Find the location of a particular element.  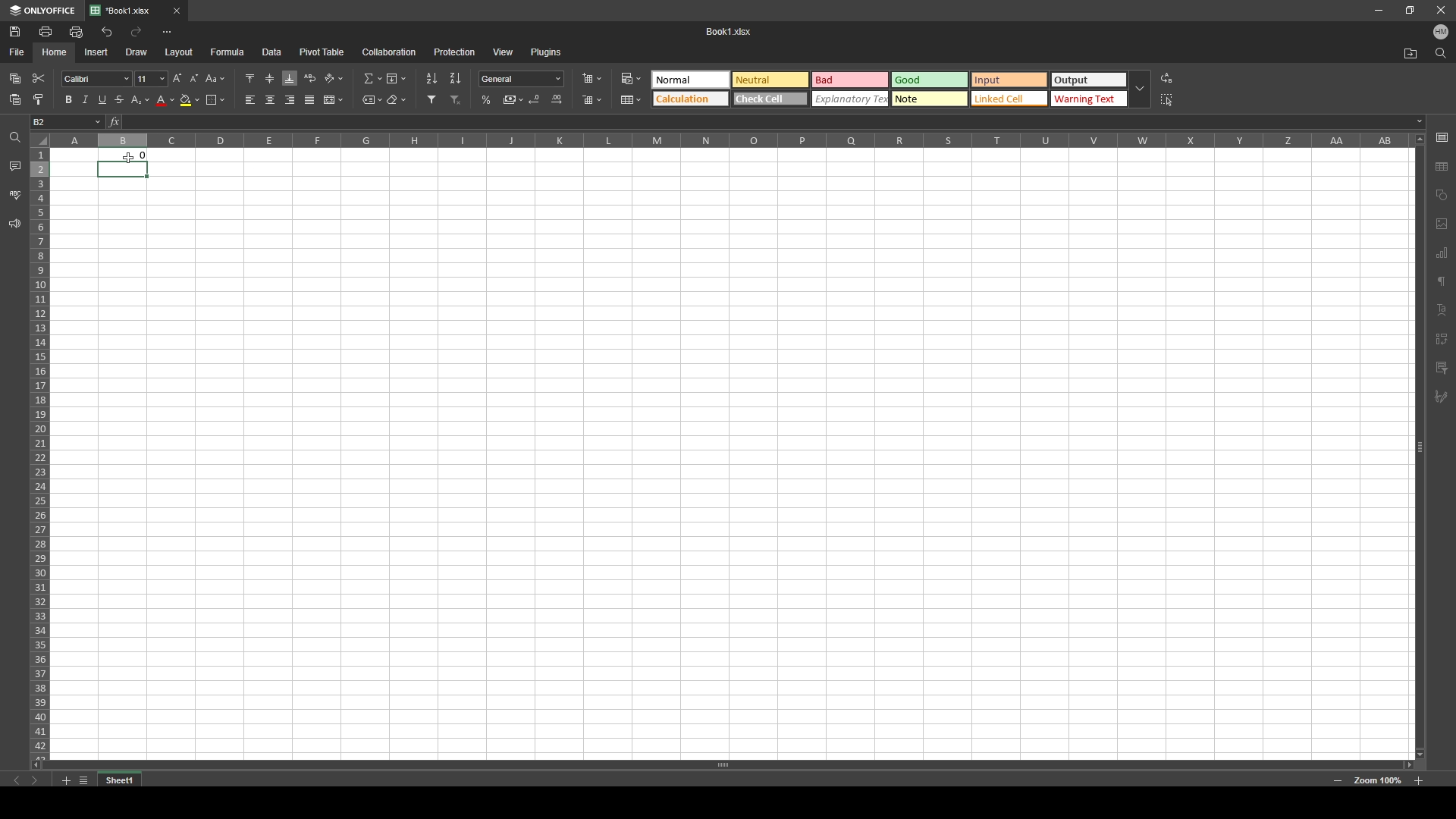

bold is located at coordinates (67, 99).